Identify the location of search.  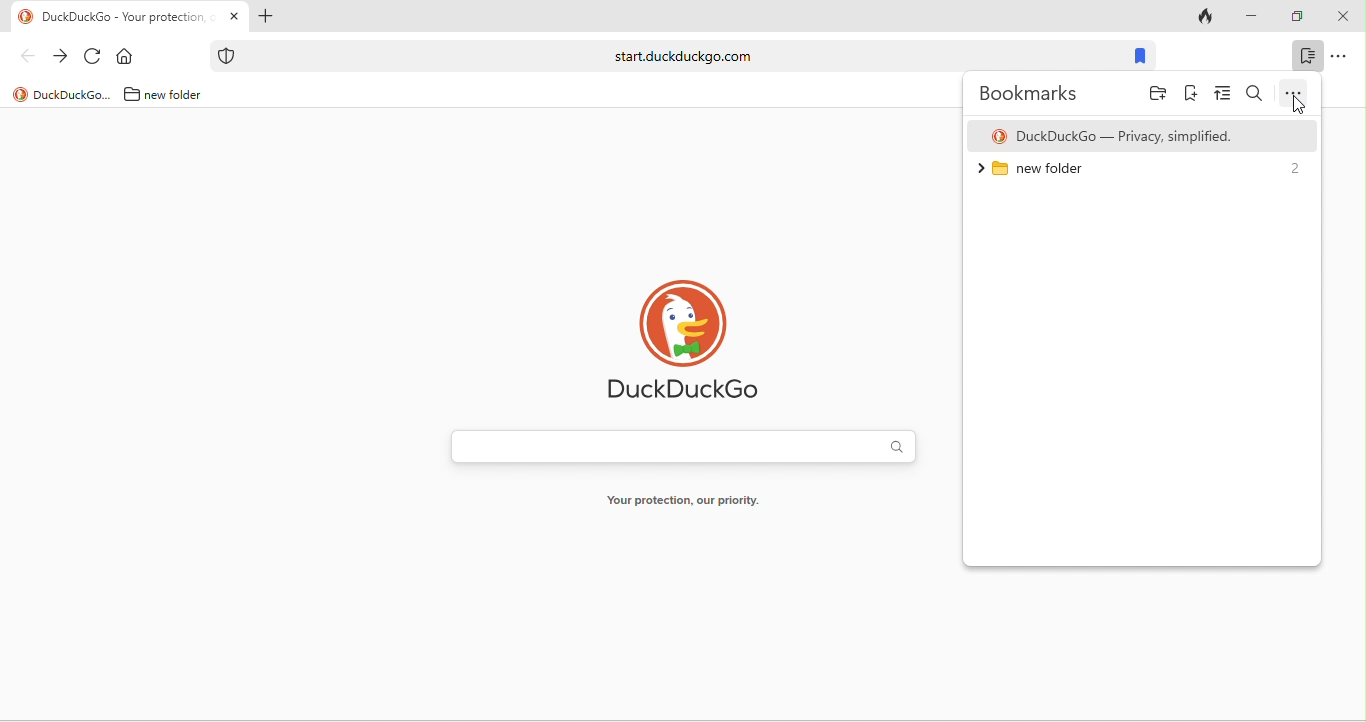
(1255, 94).